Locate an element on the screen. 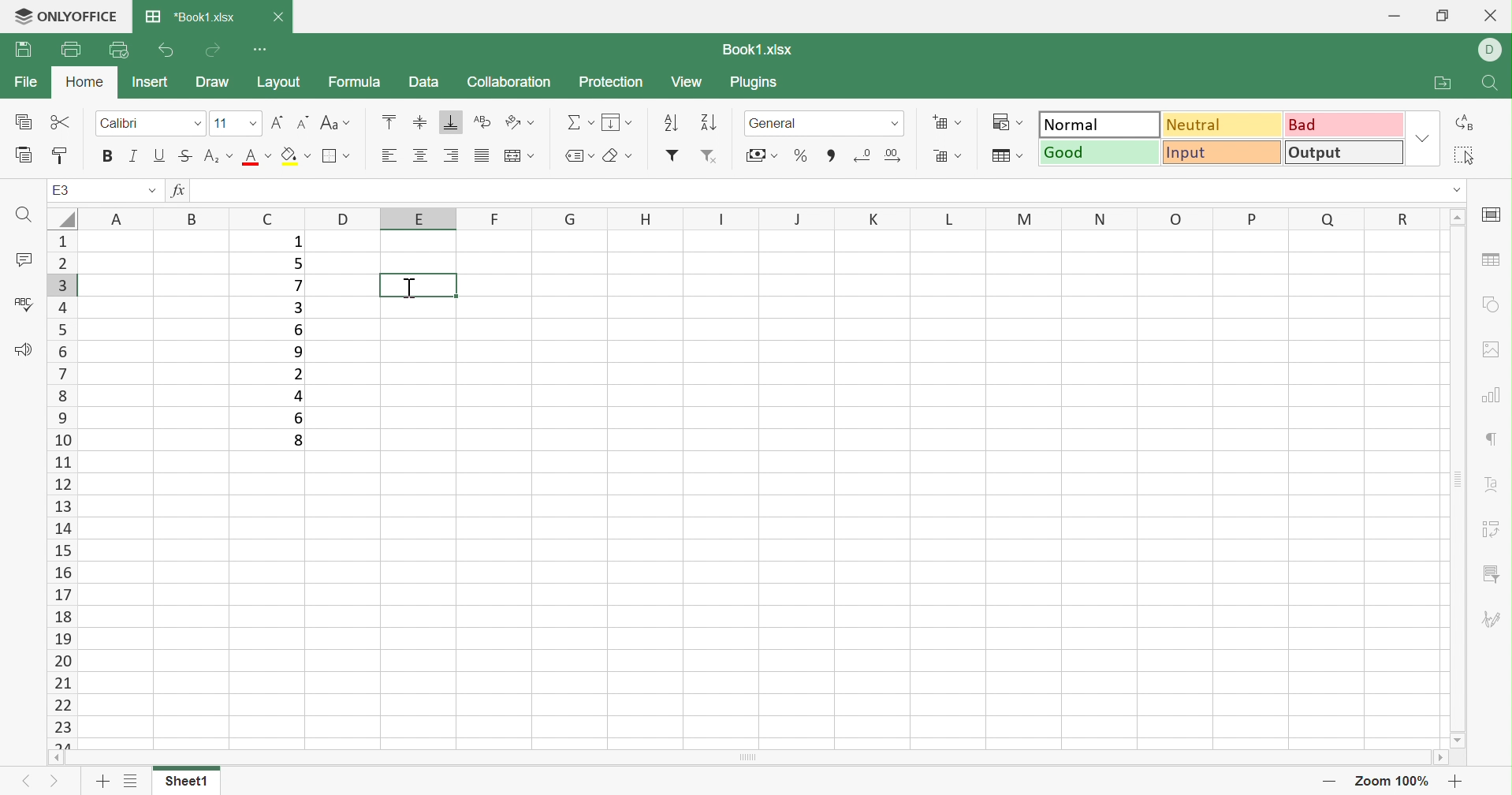  Strikethrough is located at coordinates (188, 157).